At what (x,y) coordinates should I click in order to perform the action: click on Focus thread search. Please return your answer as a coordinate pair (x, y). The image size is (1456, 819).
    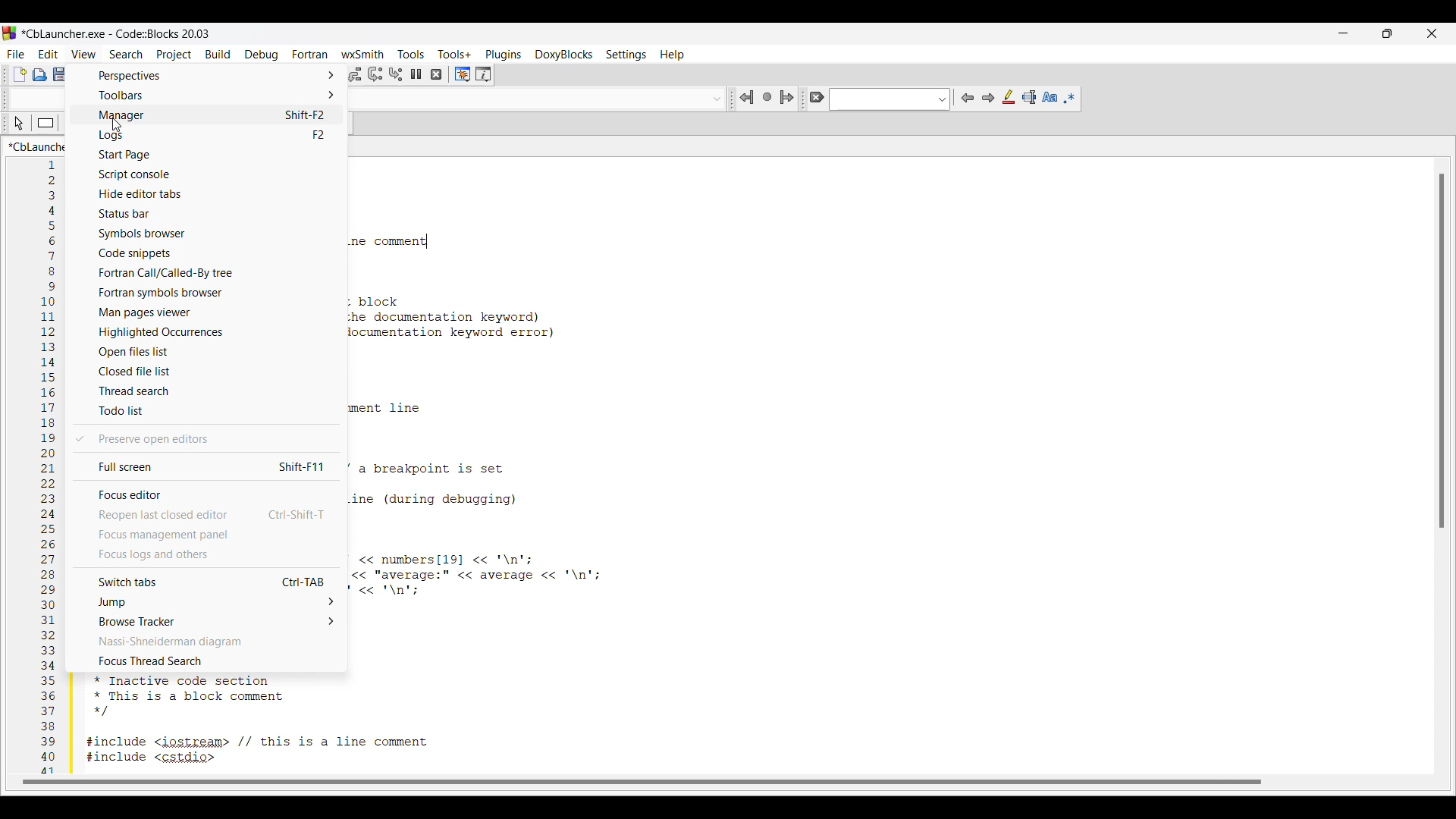
    Looking at the image, I should click on (206, 661).